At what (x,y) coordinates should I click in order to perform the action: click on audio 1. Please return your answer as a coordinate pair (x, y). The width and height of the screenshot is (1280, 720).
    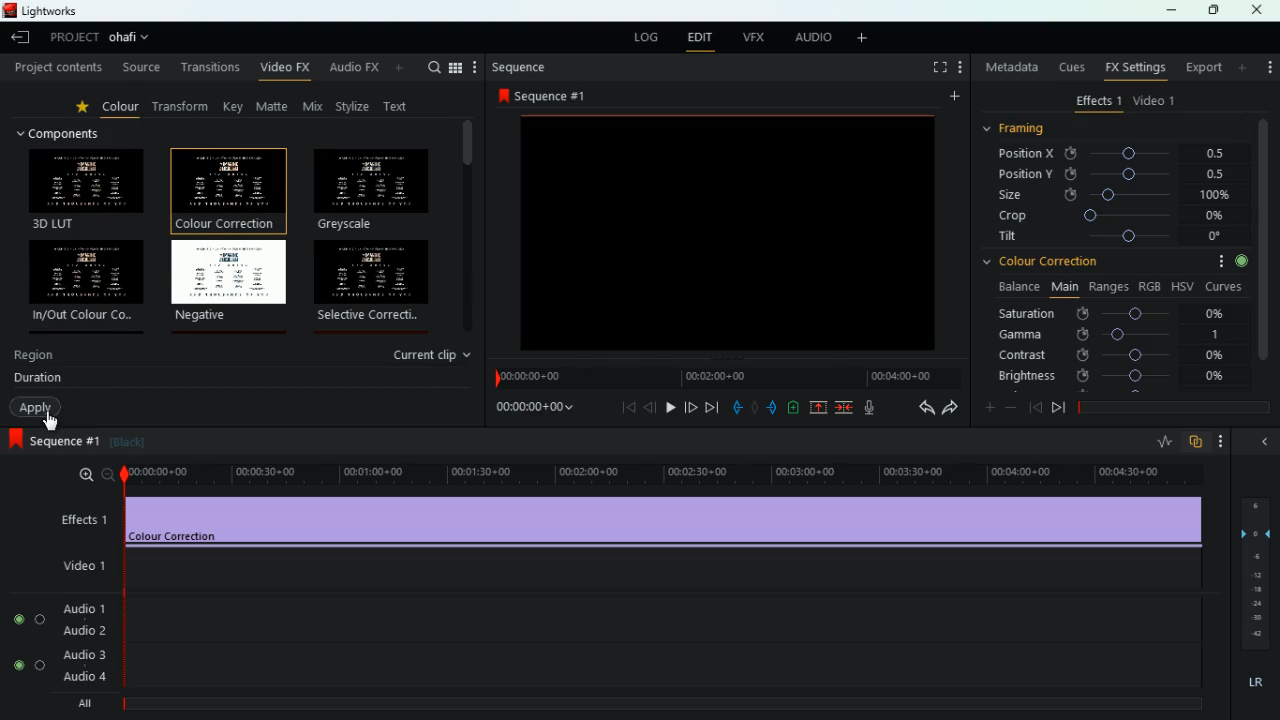
    Looking at the image, I should click on (88, 606).